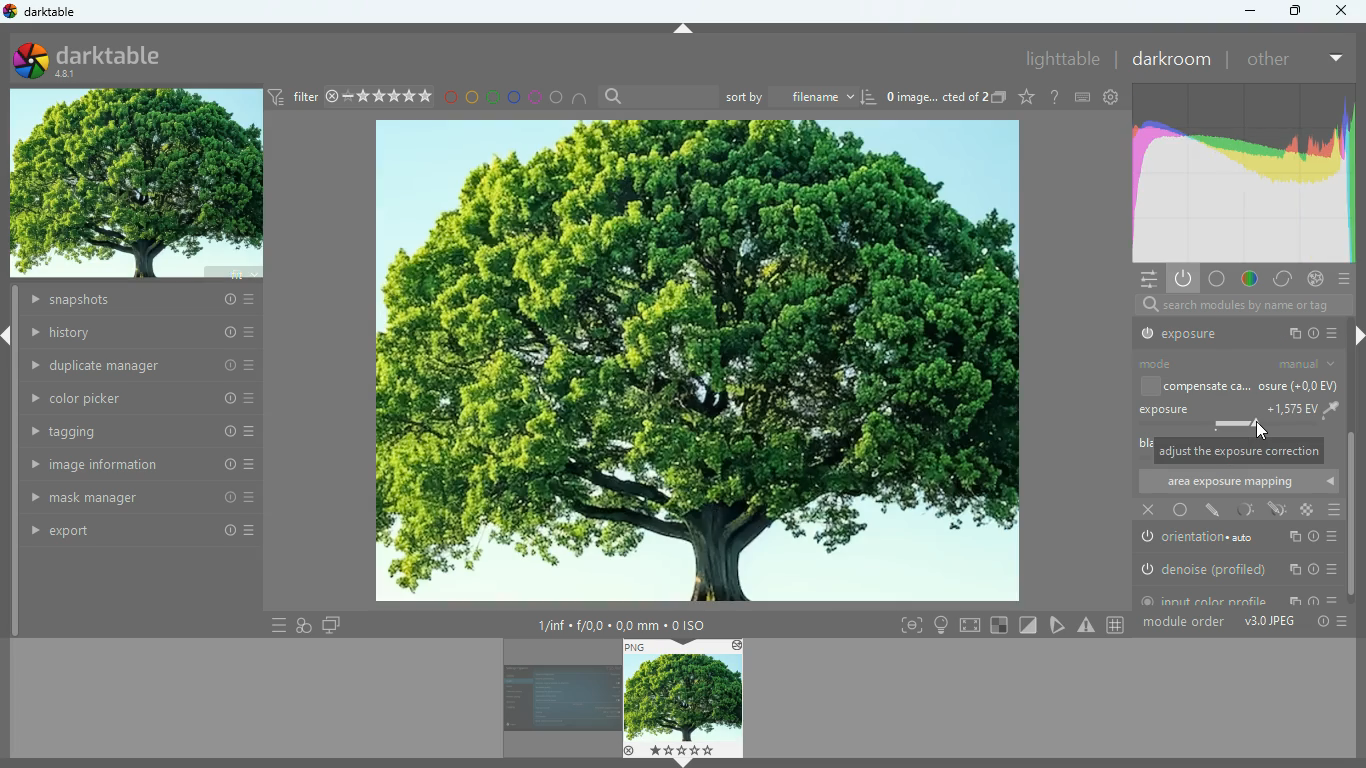 The width and height of the screenshot is (1366, 768). Describe the element at coordinates (351, 97) in the screenshot. I see `filter` at that location.